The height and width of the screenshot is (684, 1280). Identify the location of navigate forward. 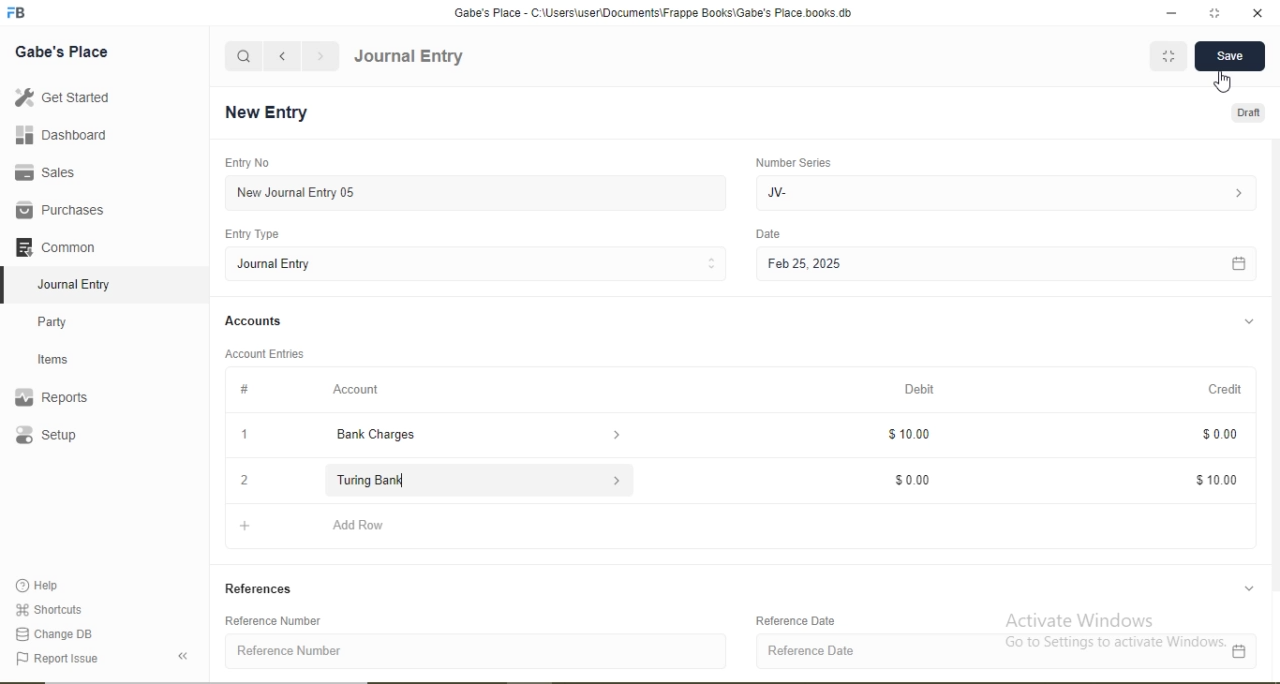
(322, 56).